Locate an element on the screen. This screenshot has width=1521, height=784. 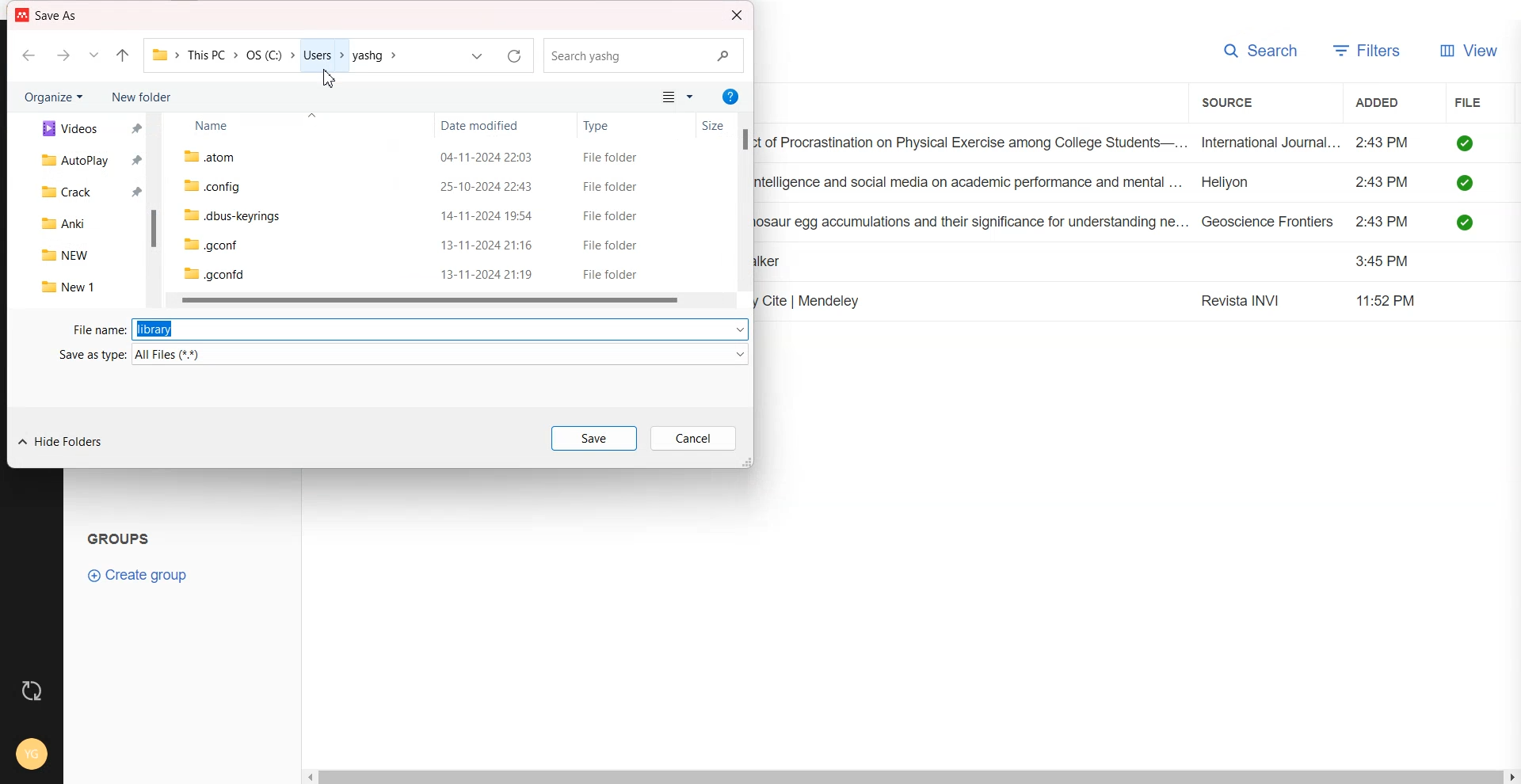
Account is located at coordinates (32, 756).